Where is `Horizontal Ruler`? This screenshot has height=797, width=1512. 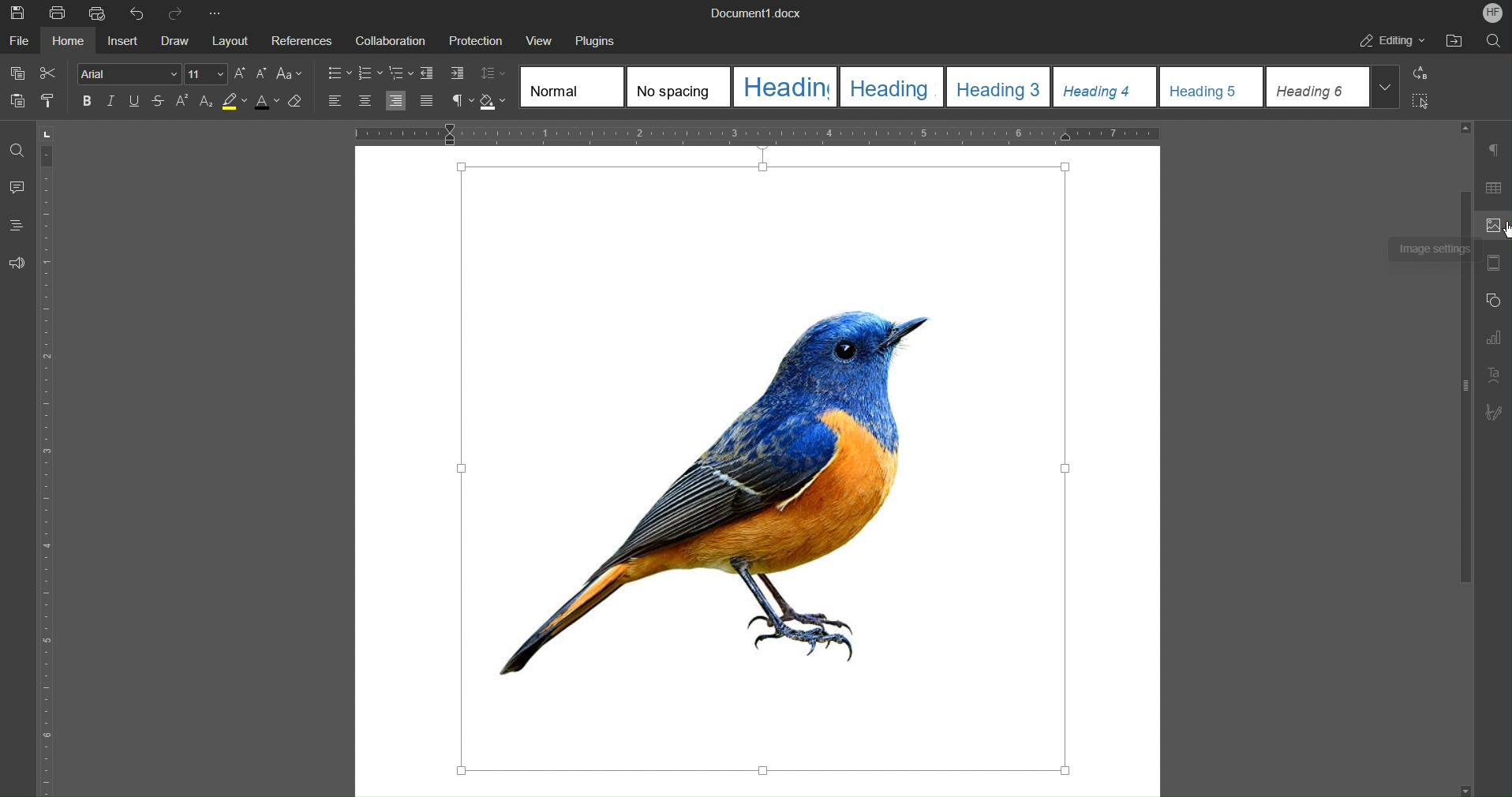
Horizontal Ruler is located at coordinates (758, 133).